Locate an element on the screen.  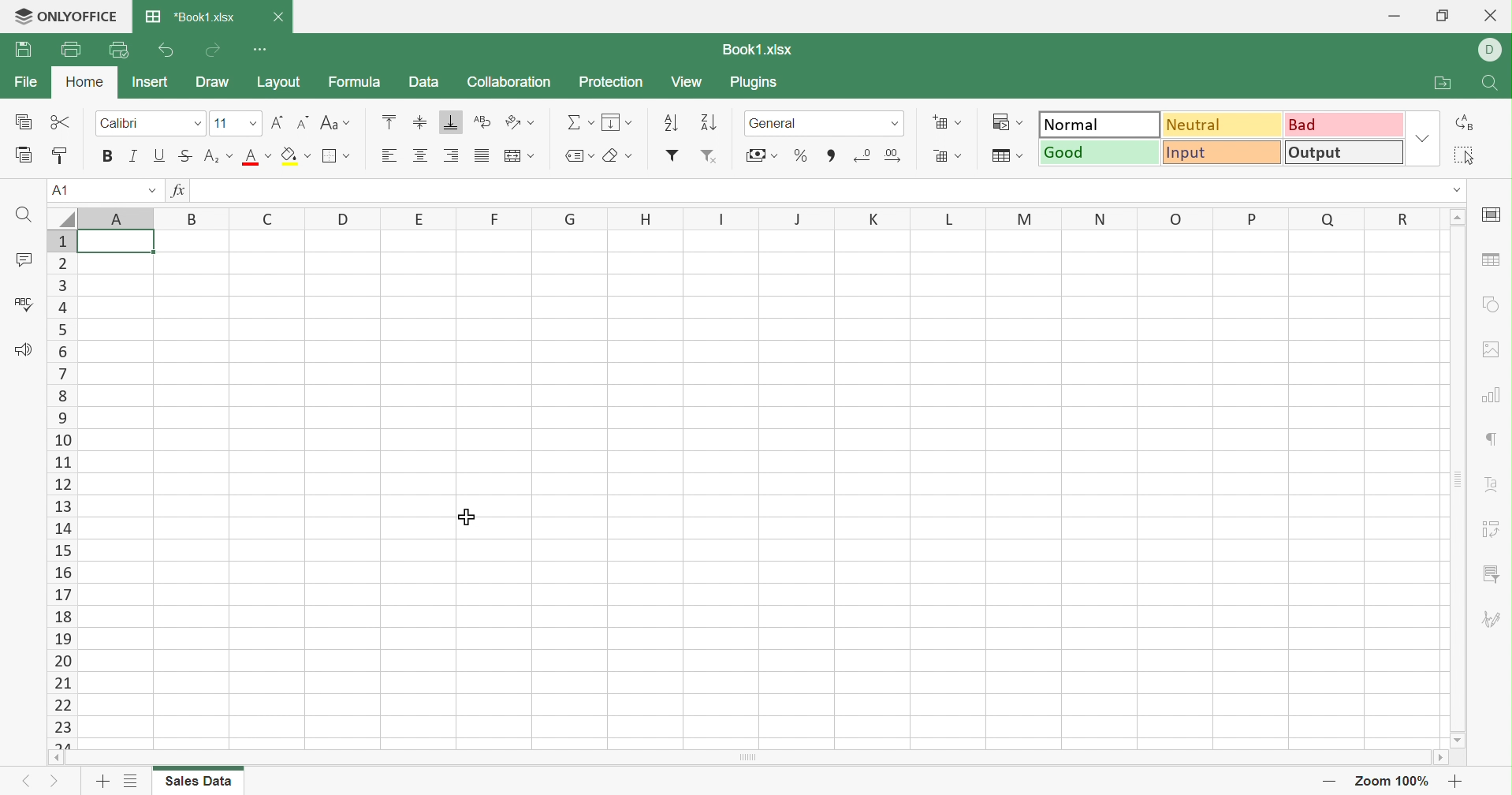
Comments is located at coordinates (26, 256).